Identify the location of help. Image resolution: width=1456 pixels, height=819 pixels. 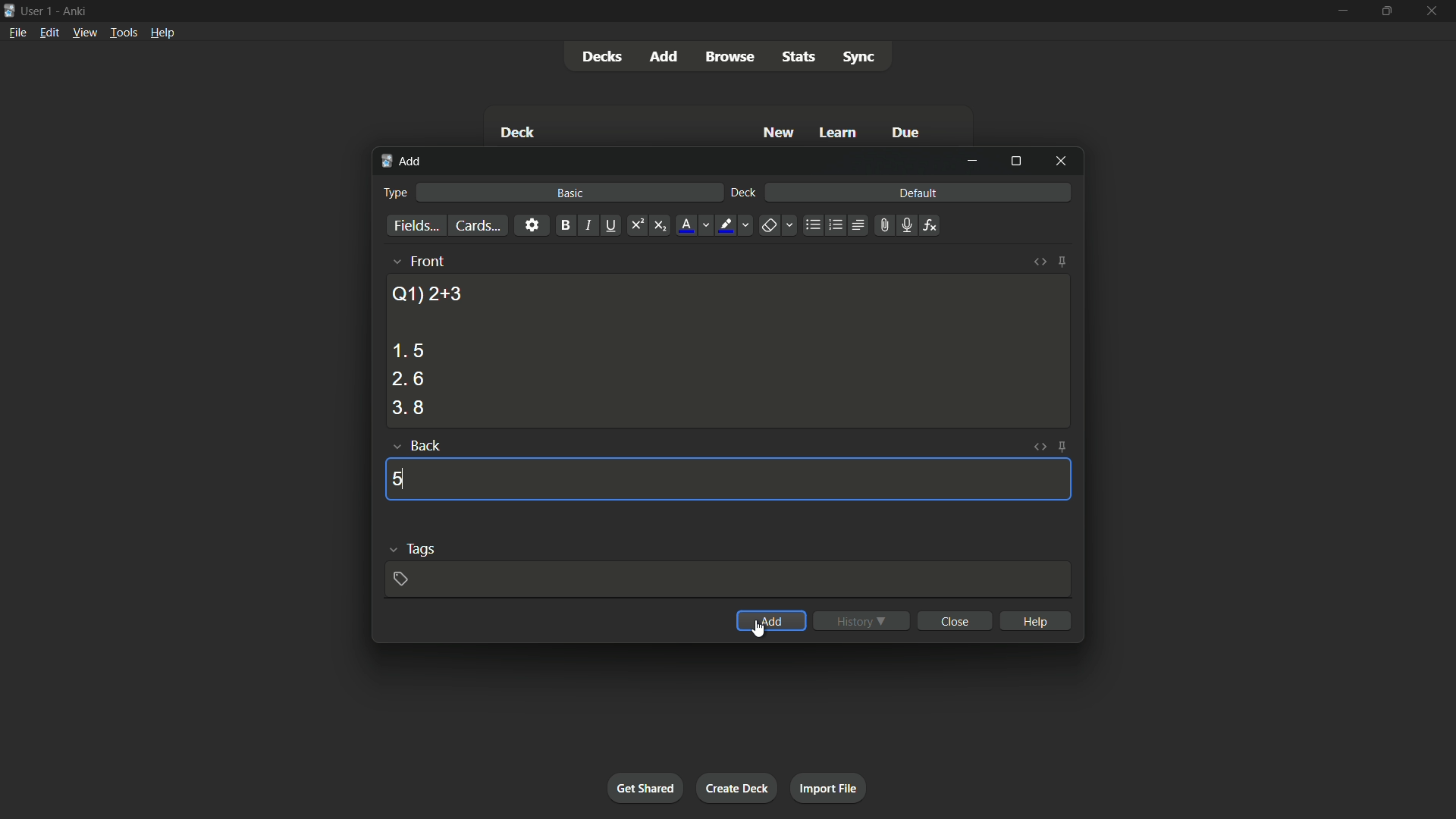
(1037, 620).